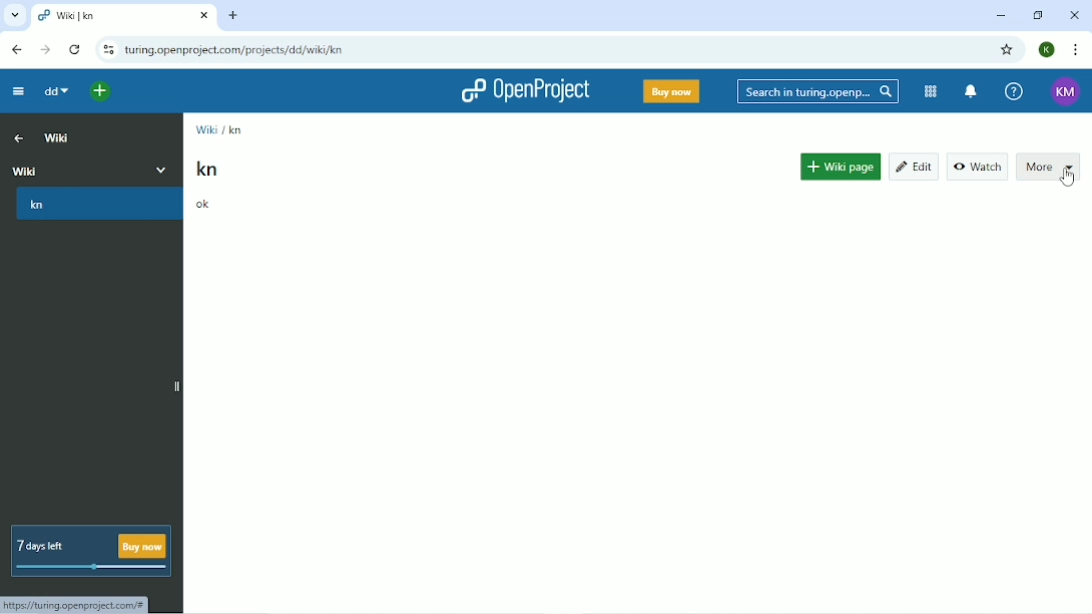  What do you see at coordinates (45, 50) in the screenshot?
I see `Forward` at bounding box center [45, 50].